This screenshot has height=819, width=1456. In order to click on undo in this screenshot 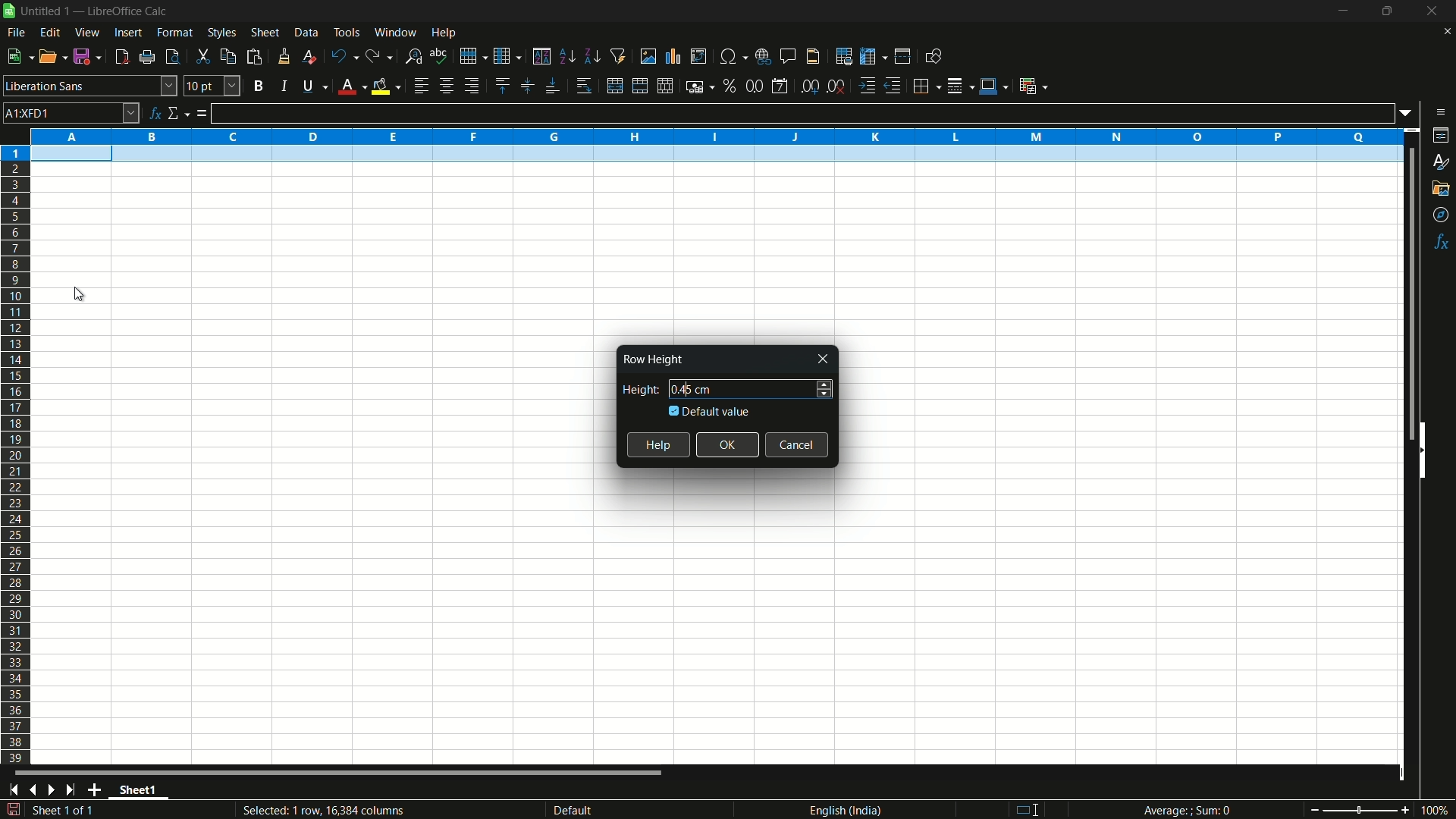, I will do `click(341, 55)`.